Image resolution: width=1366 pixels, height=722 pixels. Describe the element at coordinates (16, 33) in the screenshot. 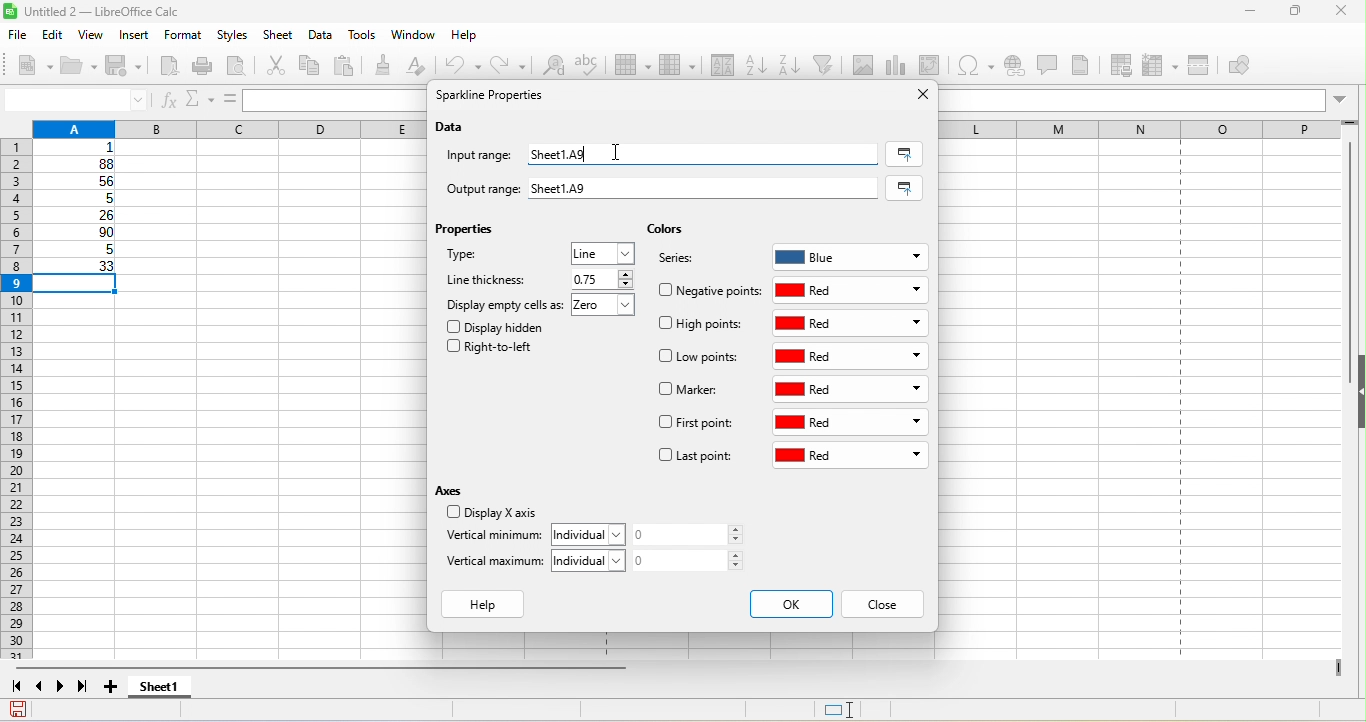

I see `file` at that location.